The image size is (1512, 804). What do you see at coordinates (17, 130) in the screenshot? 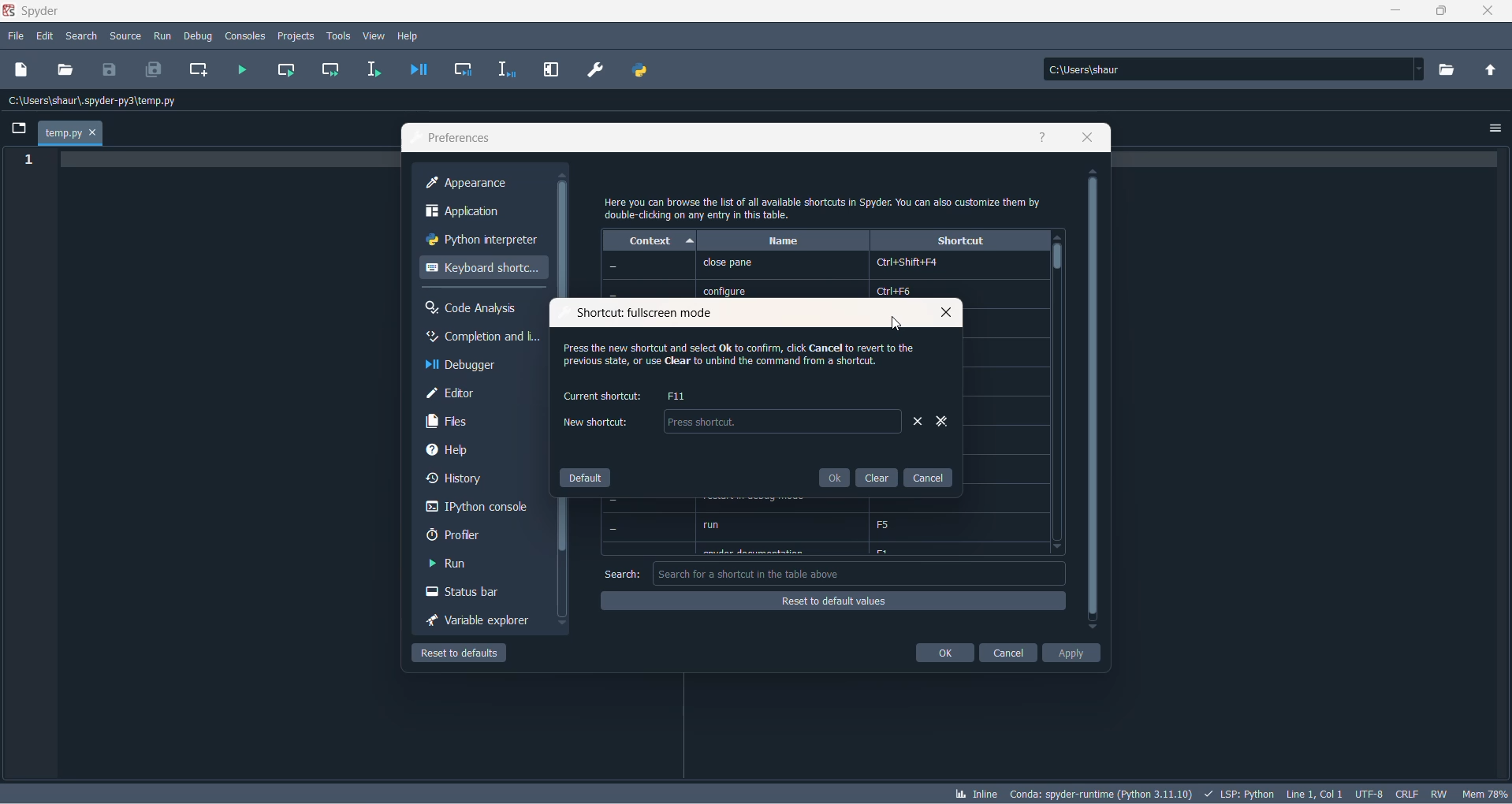
I see `folder` at bounding box center [17, 130].